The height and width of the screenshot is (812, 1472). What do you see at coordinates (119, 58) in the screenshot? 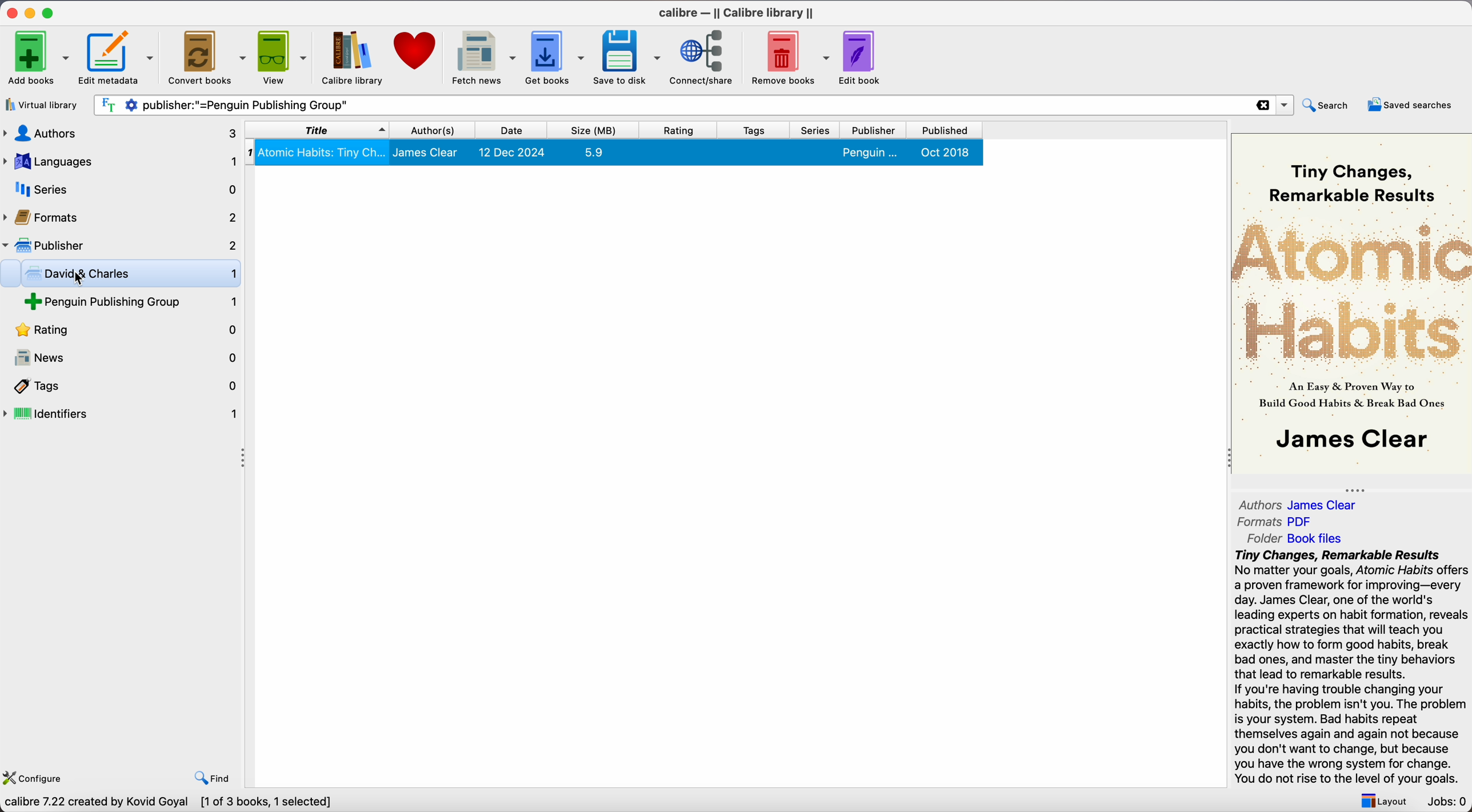
I see `edit metadata` at bounding box center [119, 58].